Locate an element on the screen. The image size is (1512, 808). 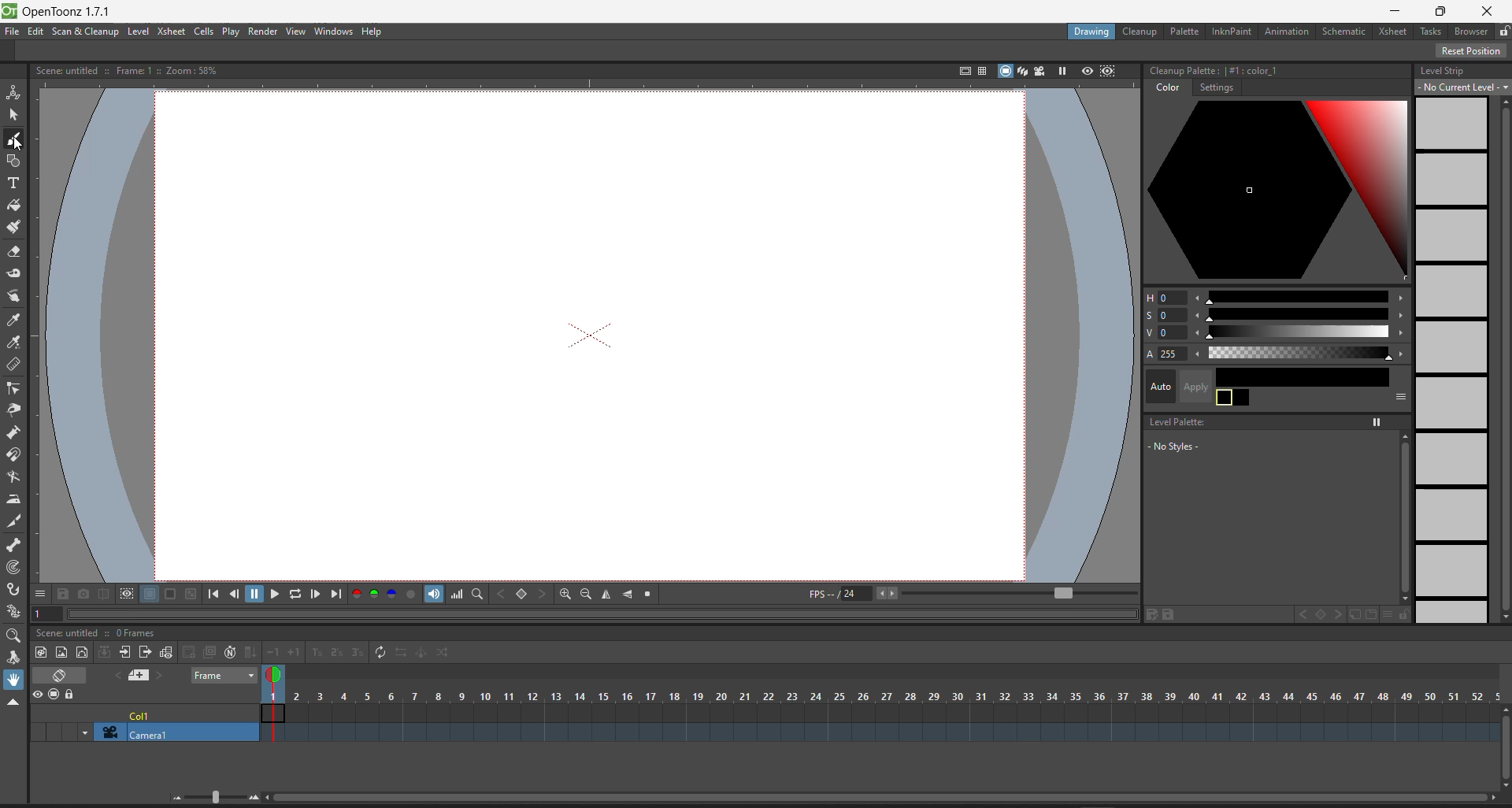
vertical scroll bar is located at coordinates (1503, 745).